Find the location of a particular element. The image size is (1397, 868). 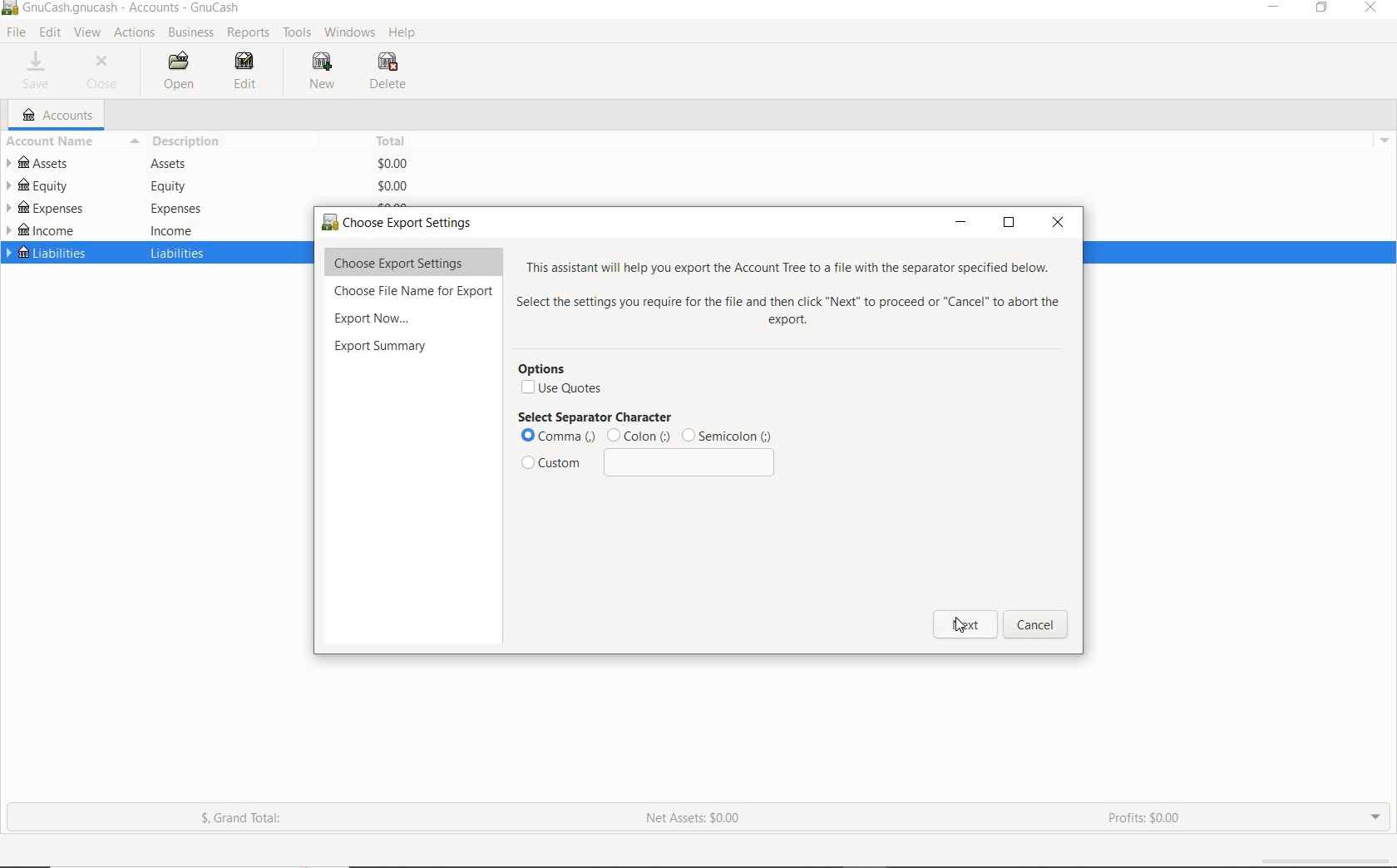

VIEW is located at coordinates (90, 32).